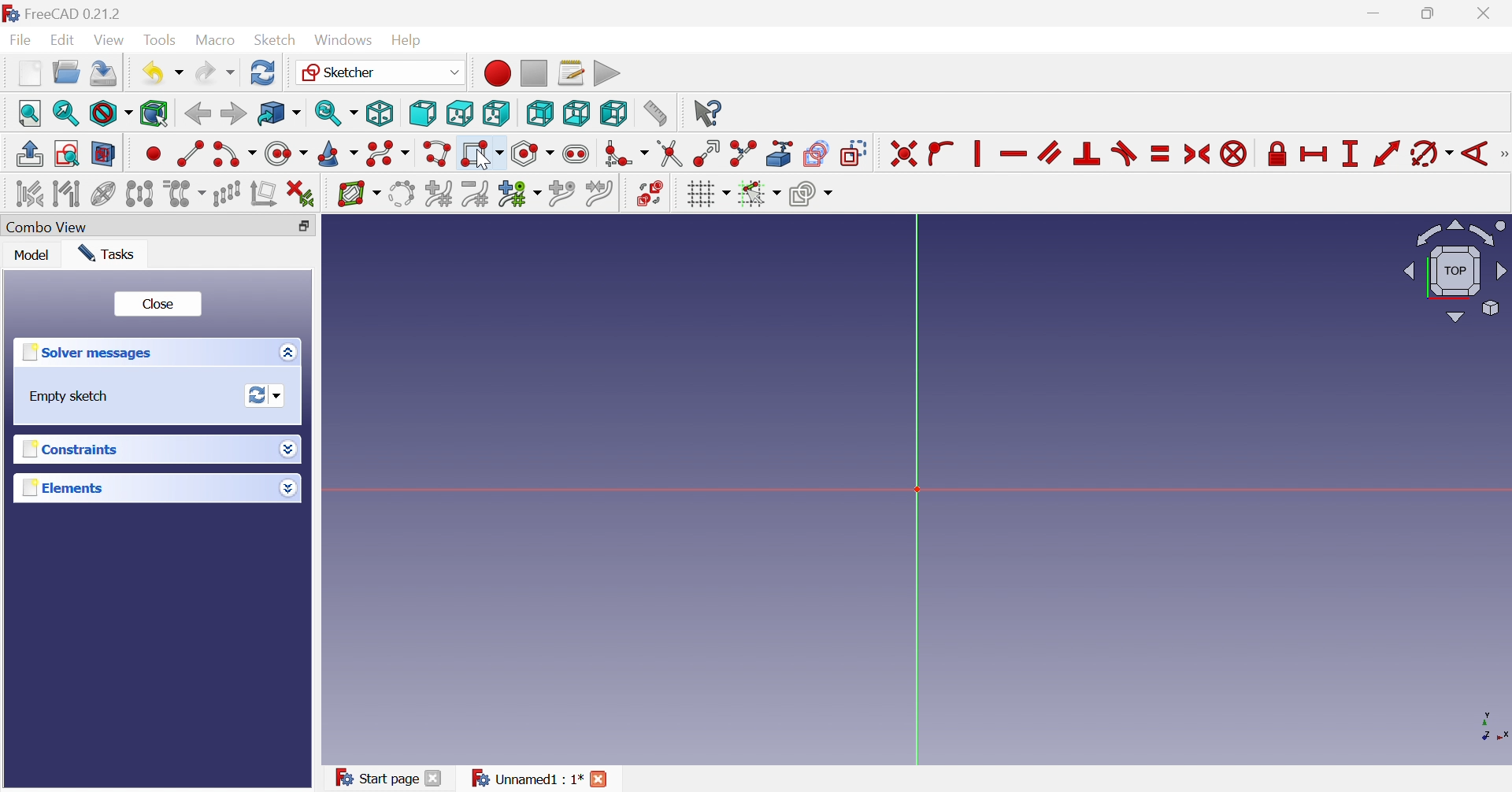  I want to click on Stop macro recording, so click(532, 72).